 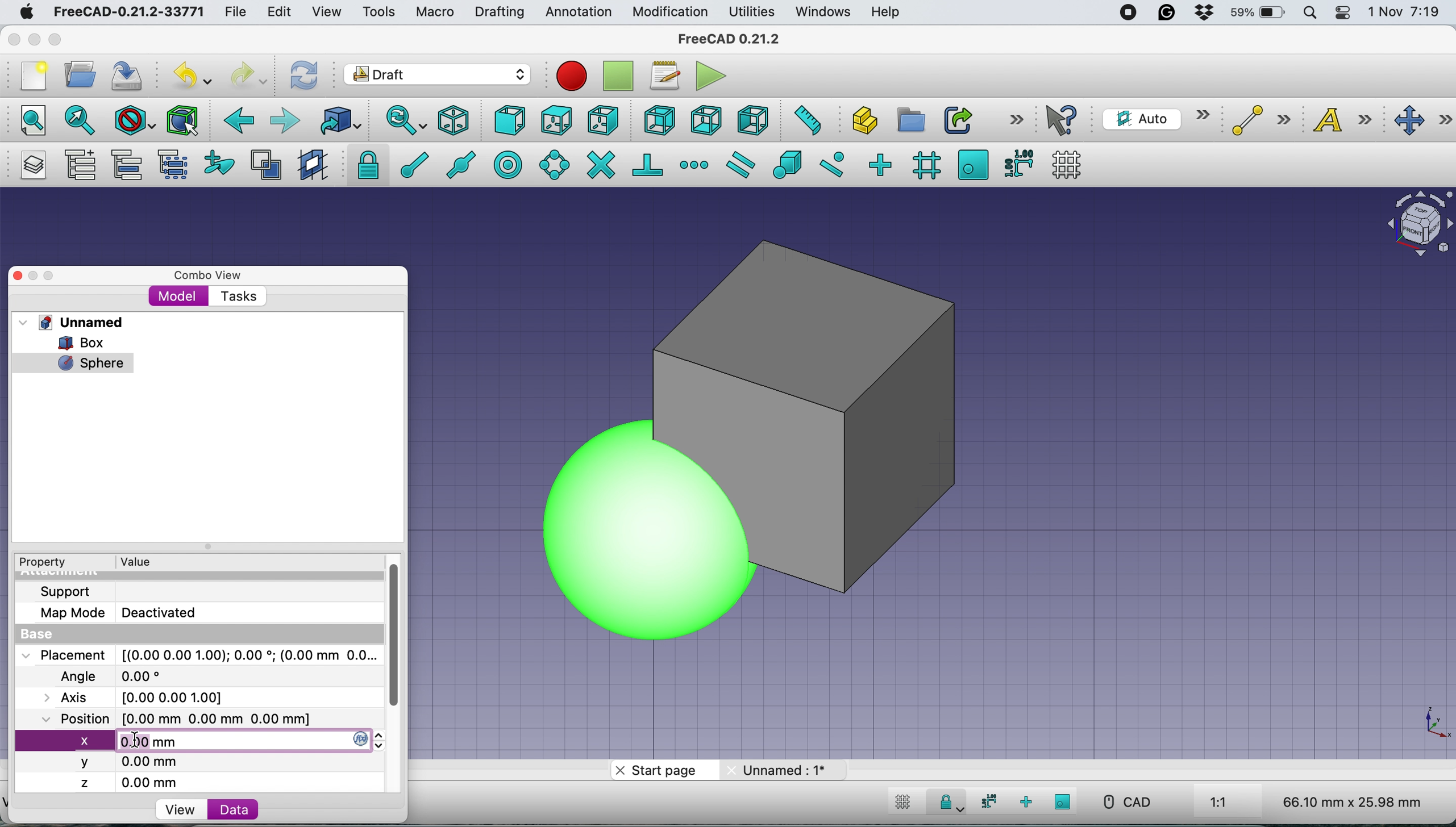 I want to click on backward, so click(x=236, y=120).